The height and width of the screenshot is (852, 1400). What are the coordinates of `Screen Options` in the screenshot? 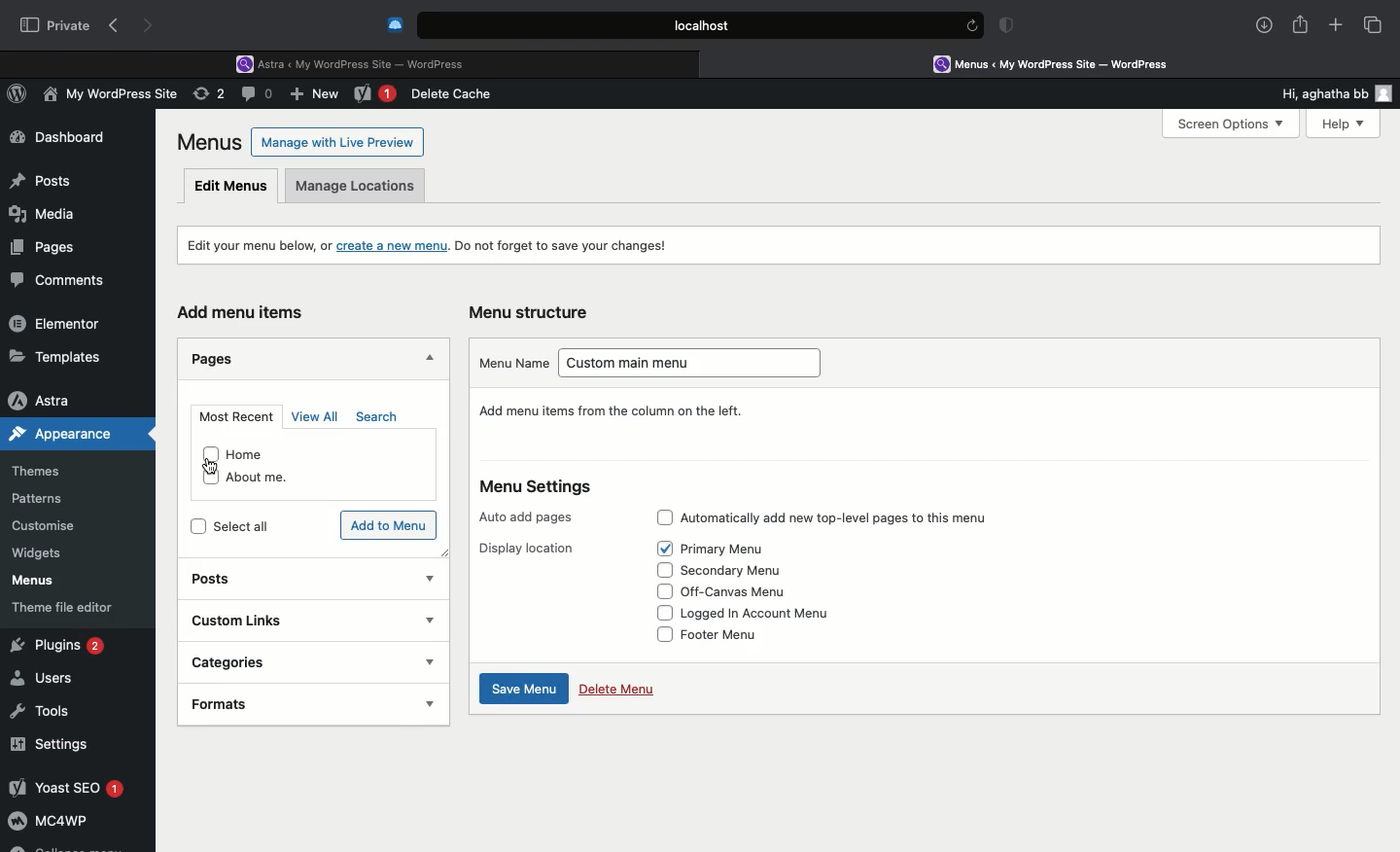 It's located at (1229, 124).